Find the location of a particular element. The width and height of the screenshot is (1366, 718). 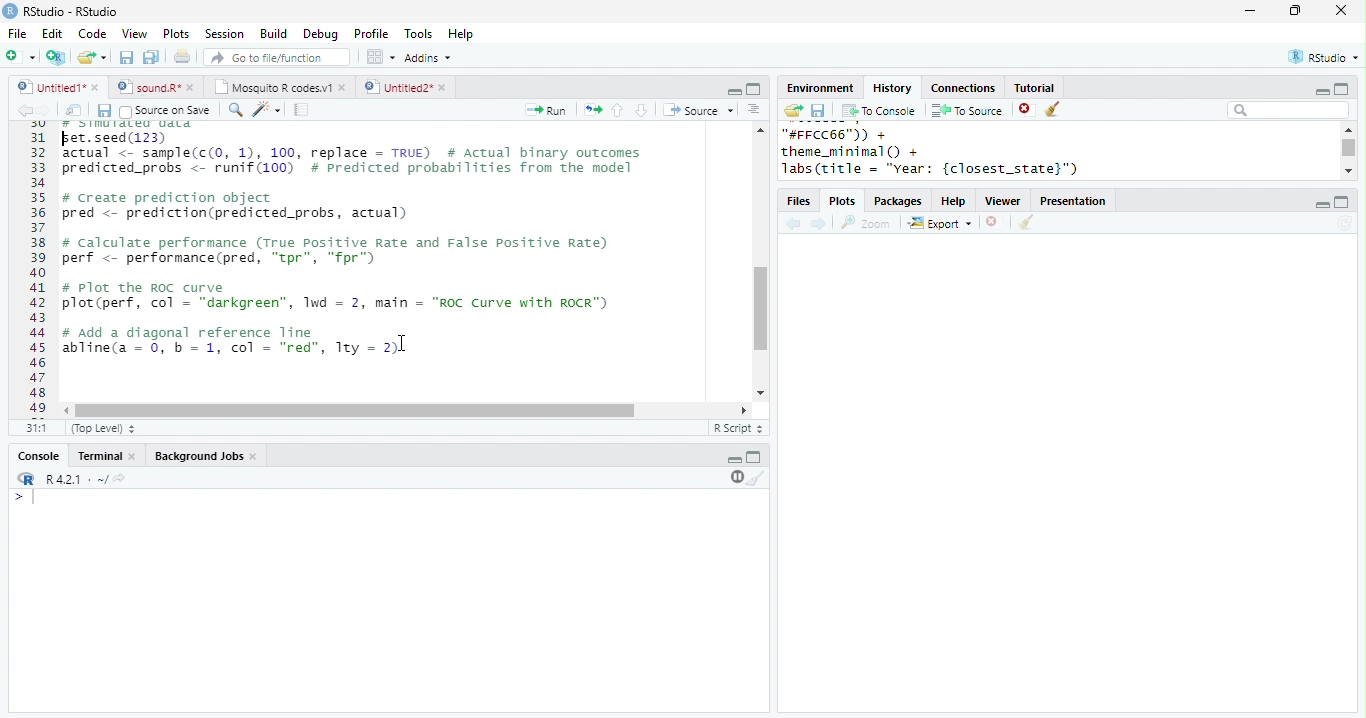

pause is located at coordinates (735, 477).